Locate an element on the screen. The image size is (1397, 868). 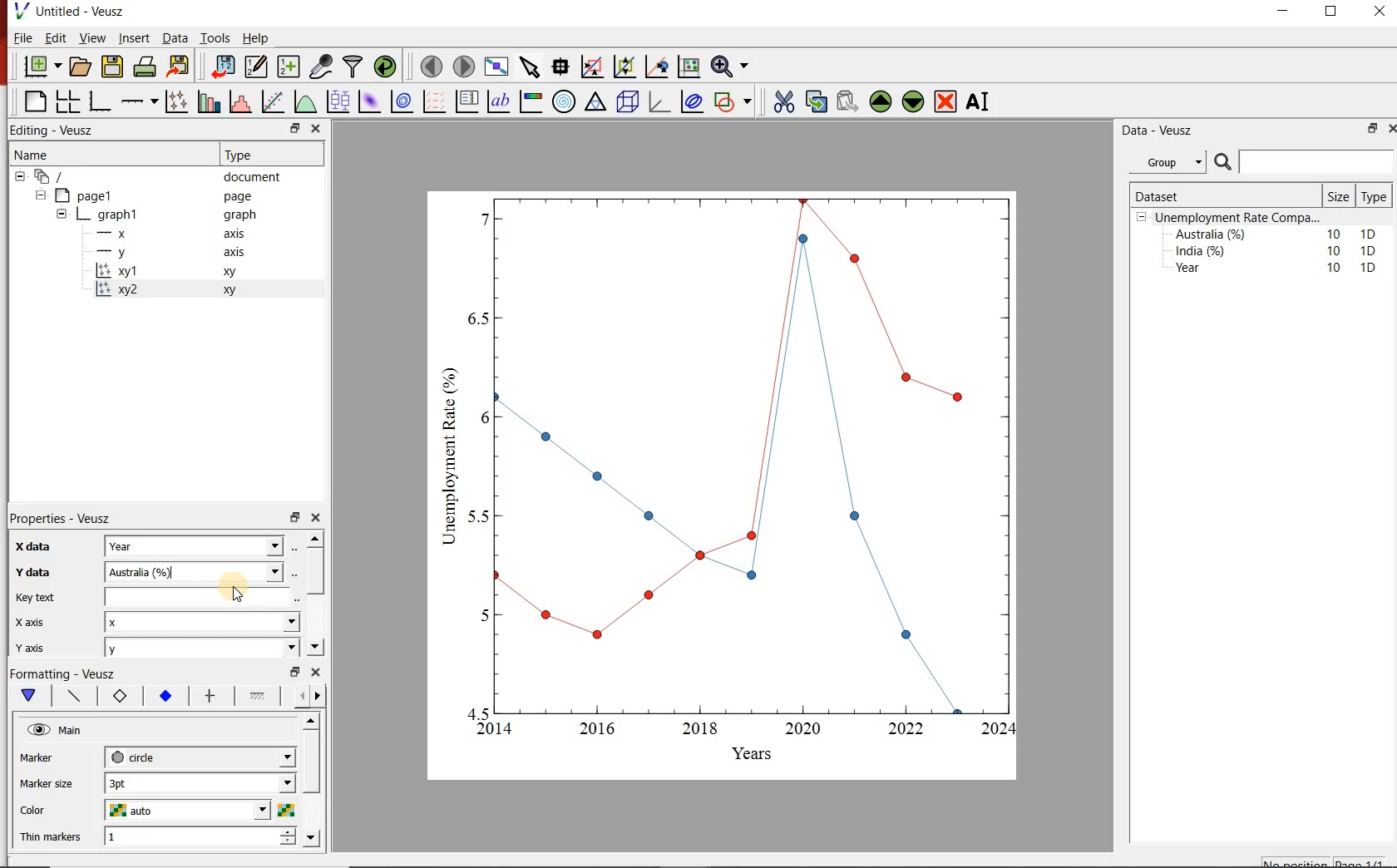
y is located at coordinates (198, 649).